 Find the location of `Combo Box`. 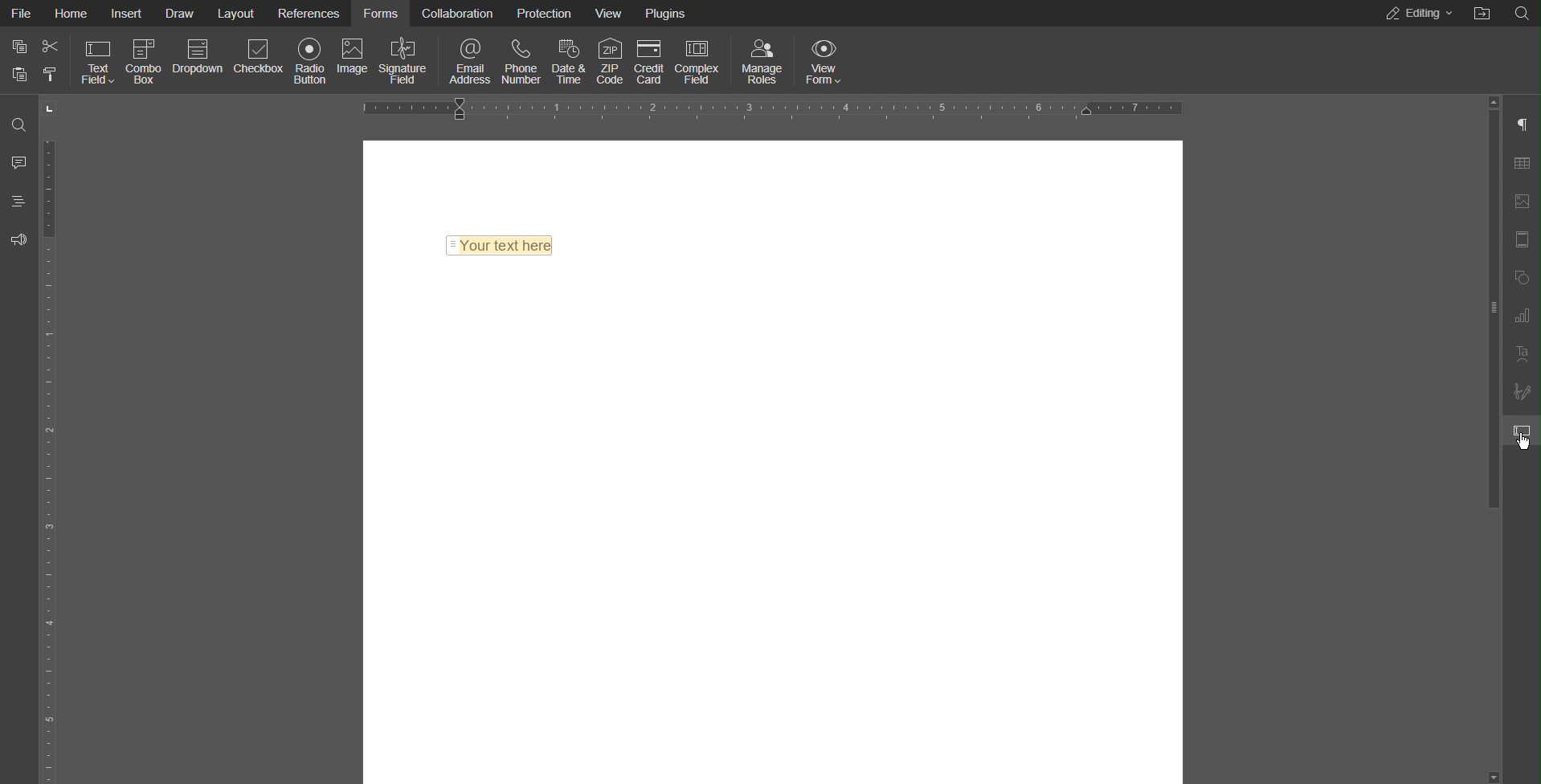

Combo Box is located at coordinates (145, 61).